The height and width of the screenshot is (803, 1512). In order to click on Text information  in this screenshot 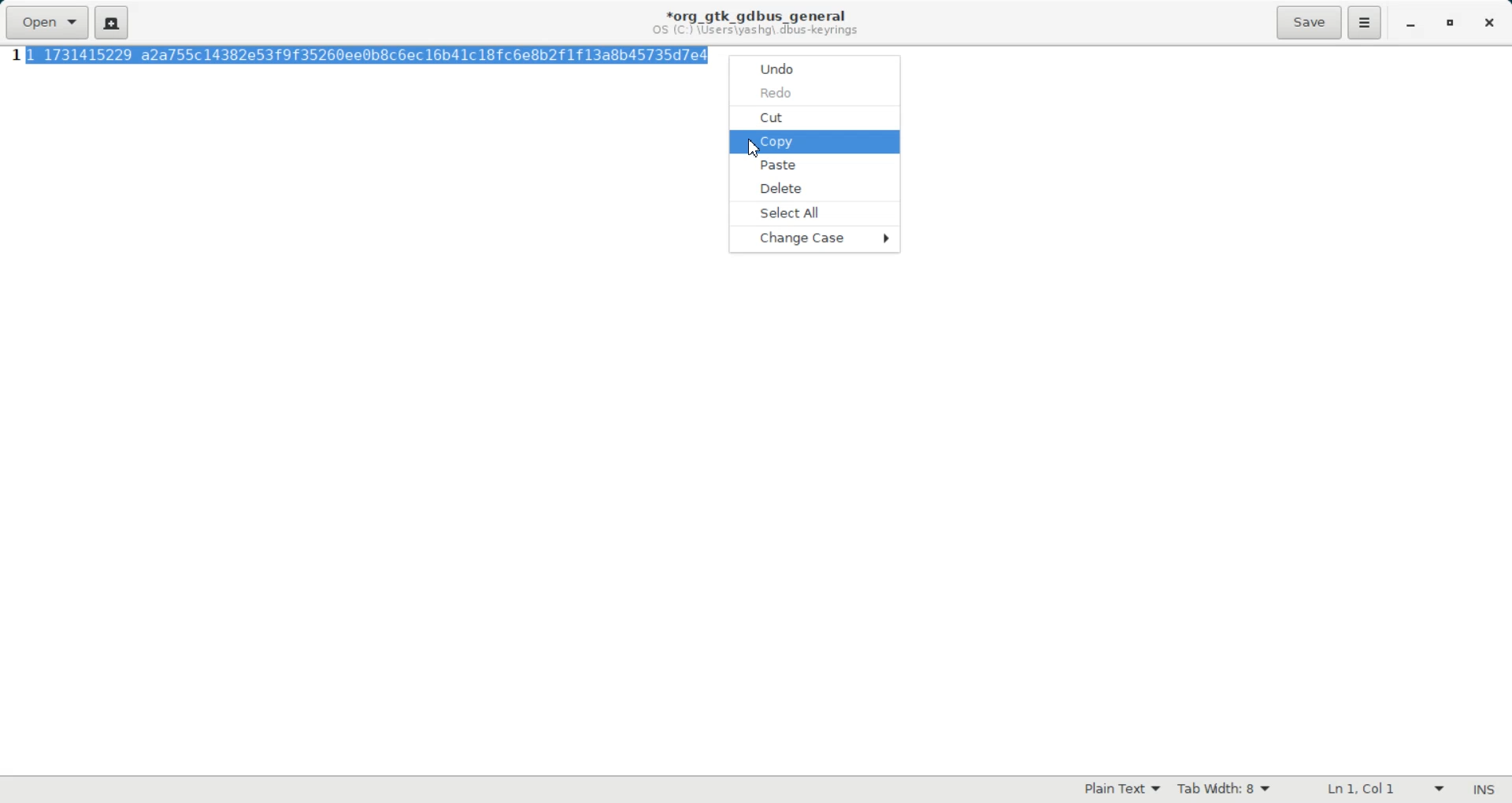, I will do `click(755, 22)`.